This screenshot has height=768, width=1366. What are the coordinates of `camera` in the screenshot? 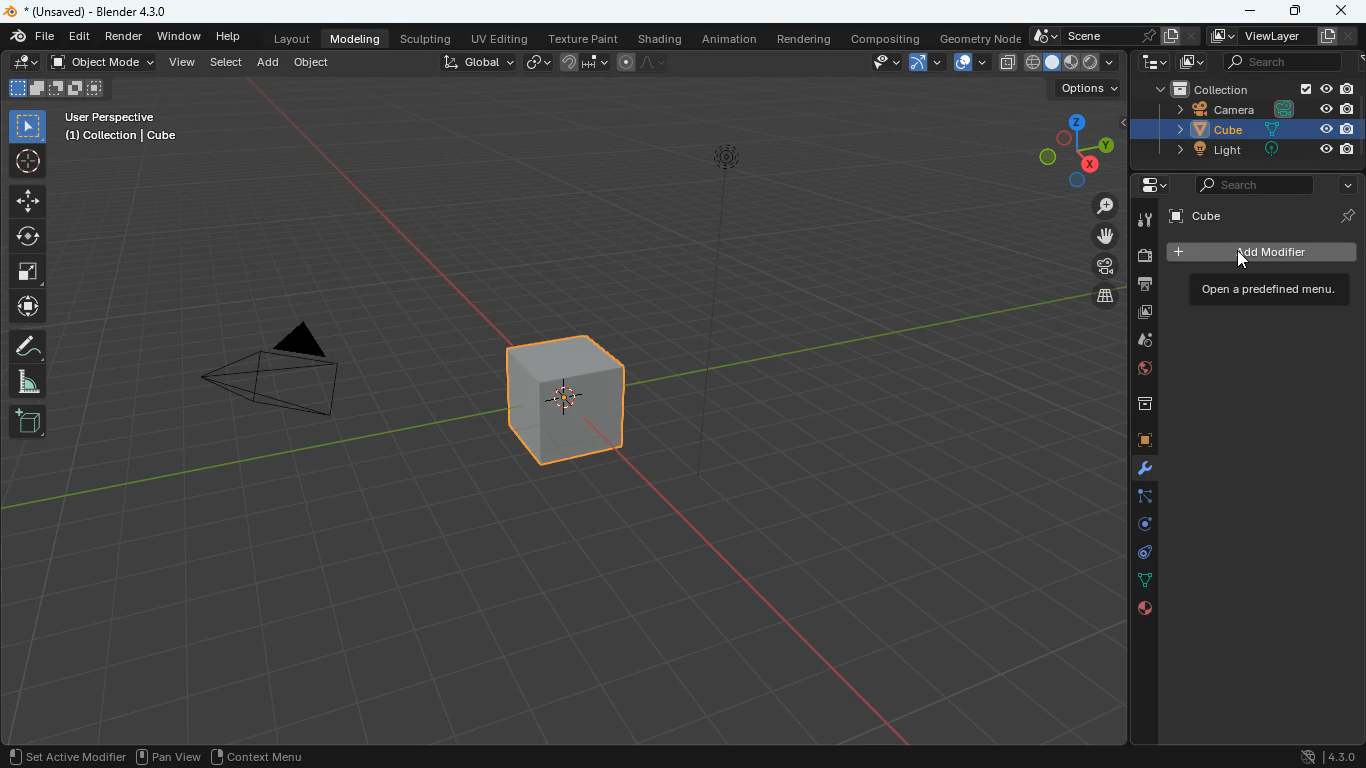 It's located at (1096, 266).